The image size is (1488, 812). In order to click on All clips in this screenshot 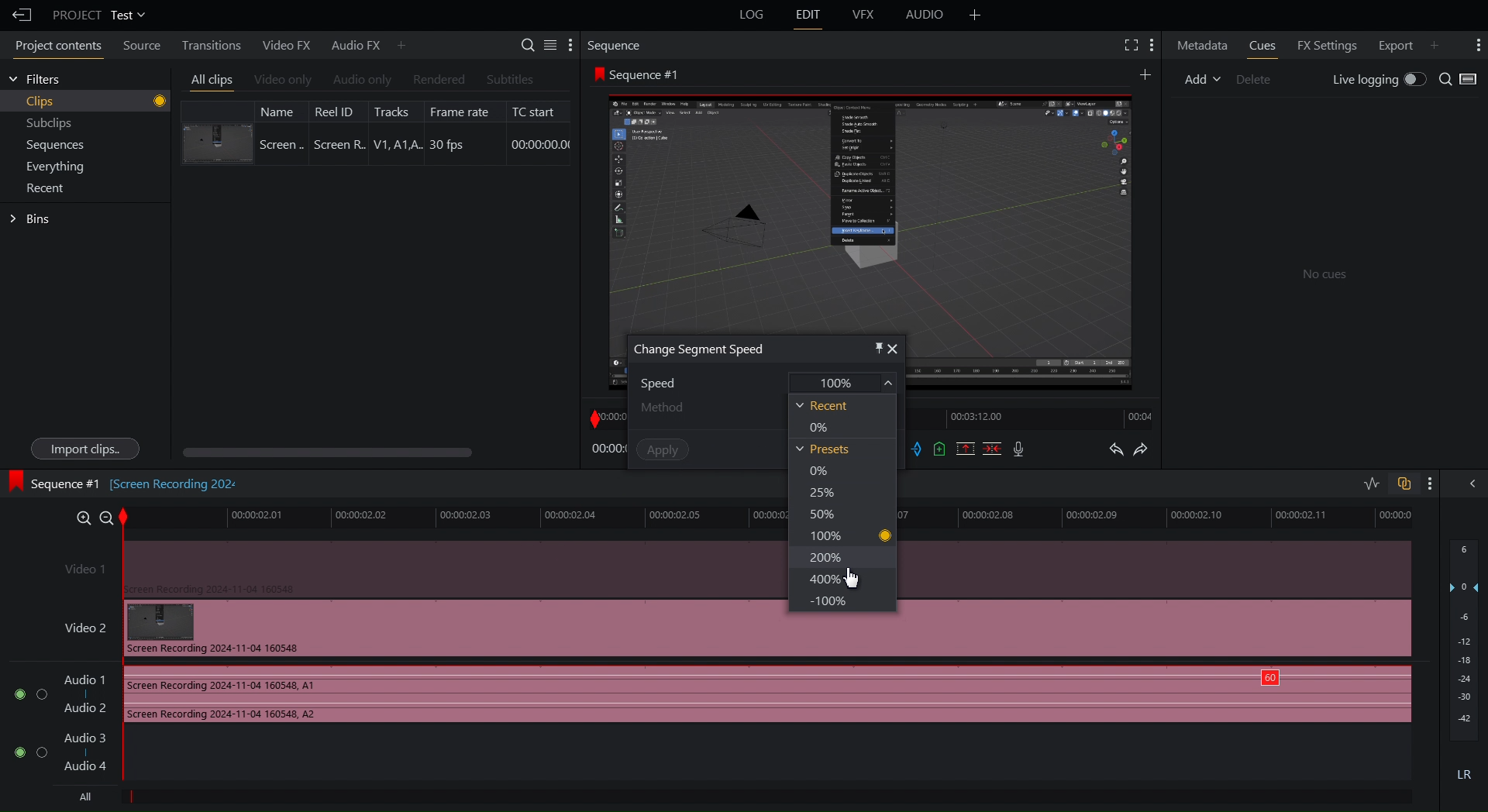, I will do `click(212, 81)`.